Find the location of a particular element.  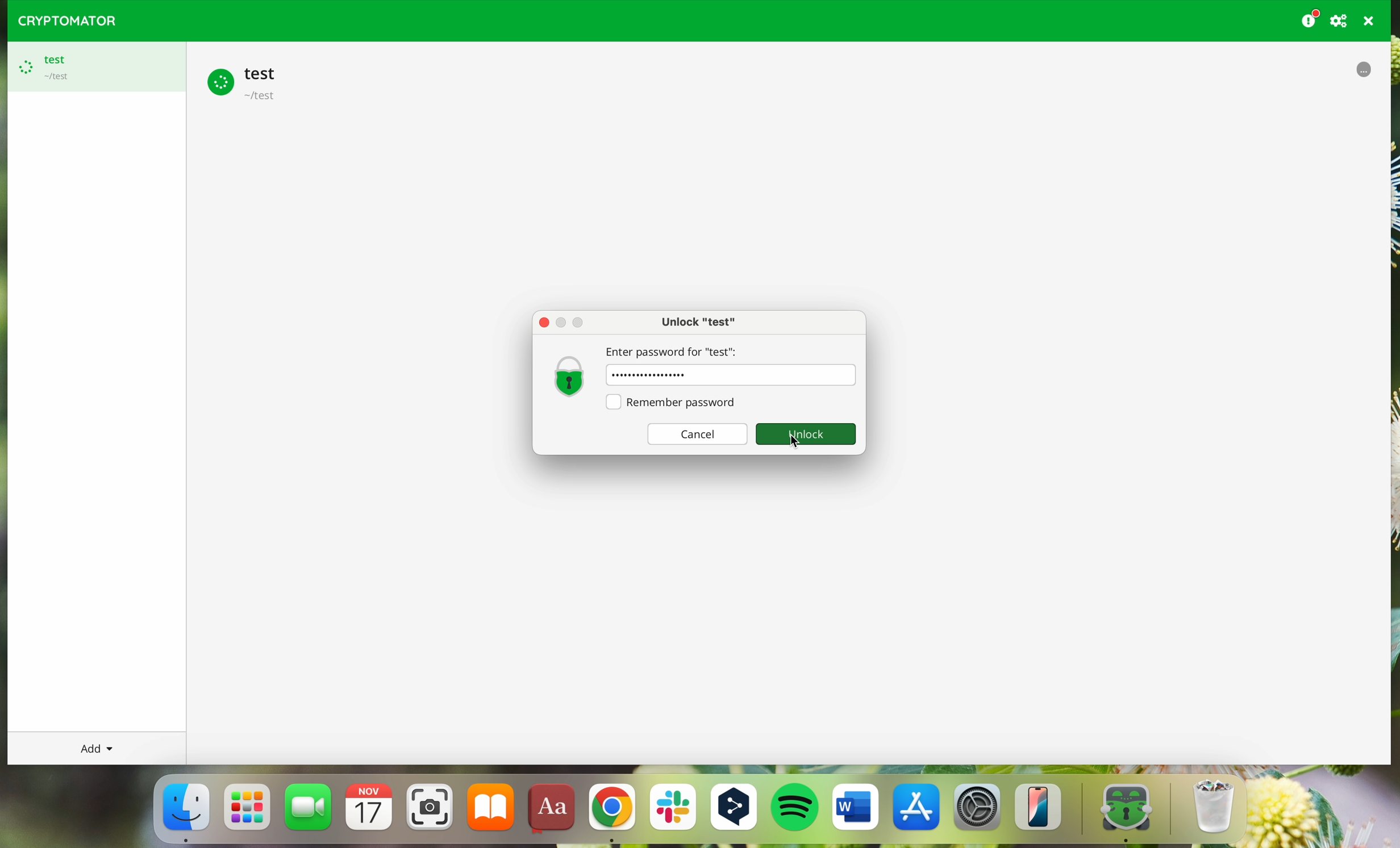

Unlock is located at coordinates (807, 435).